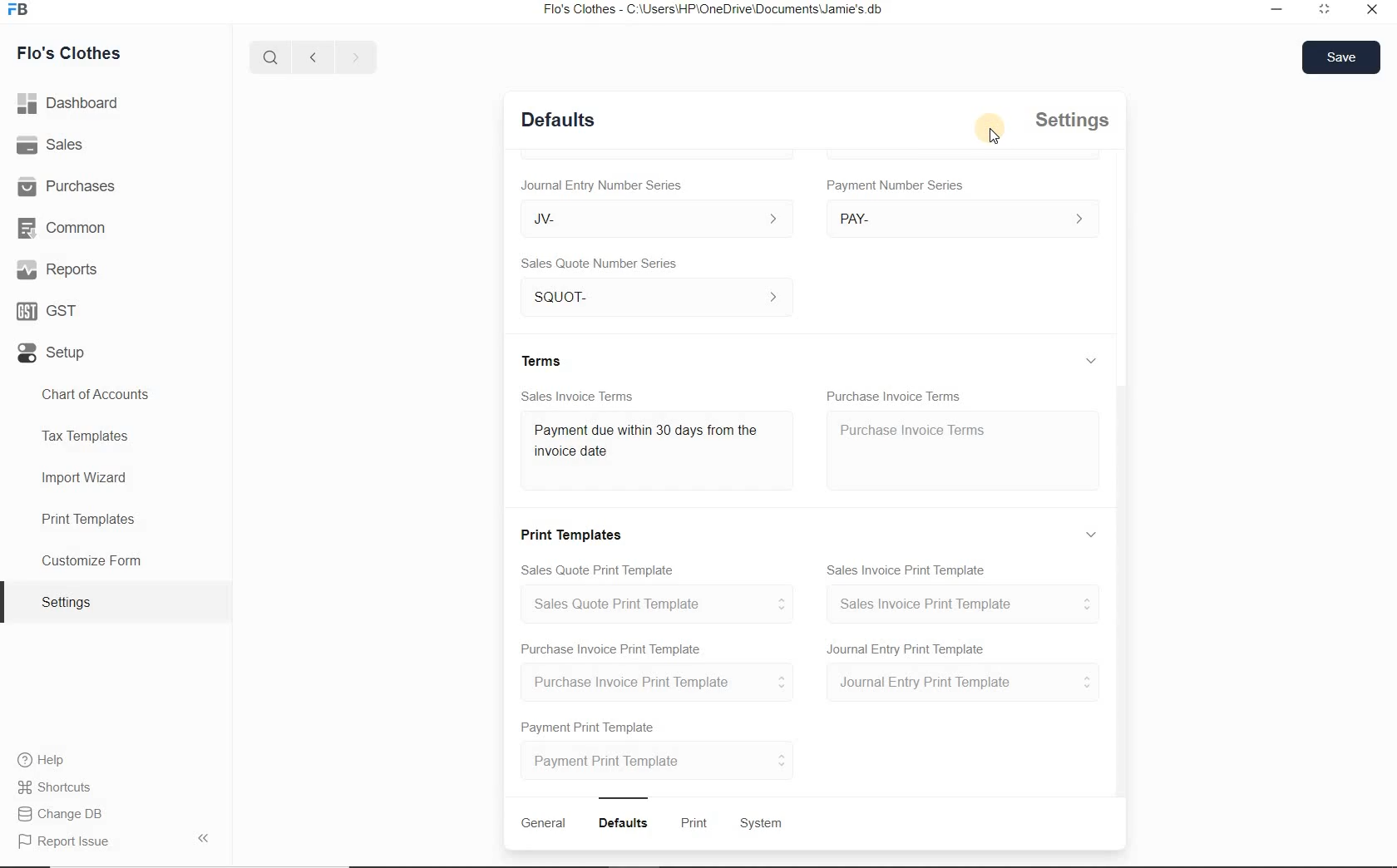  I want to click on Logo, so click(20, 9).